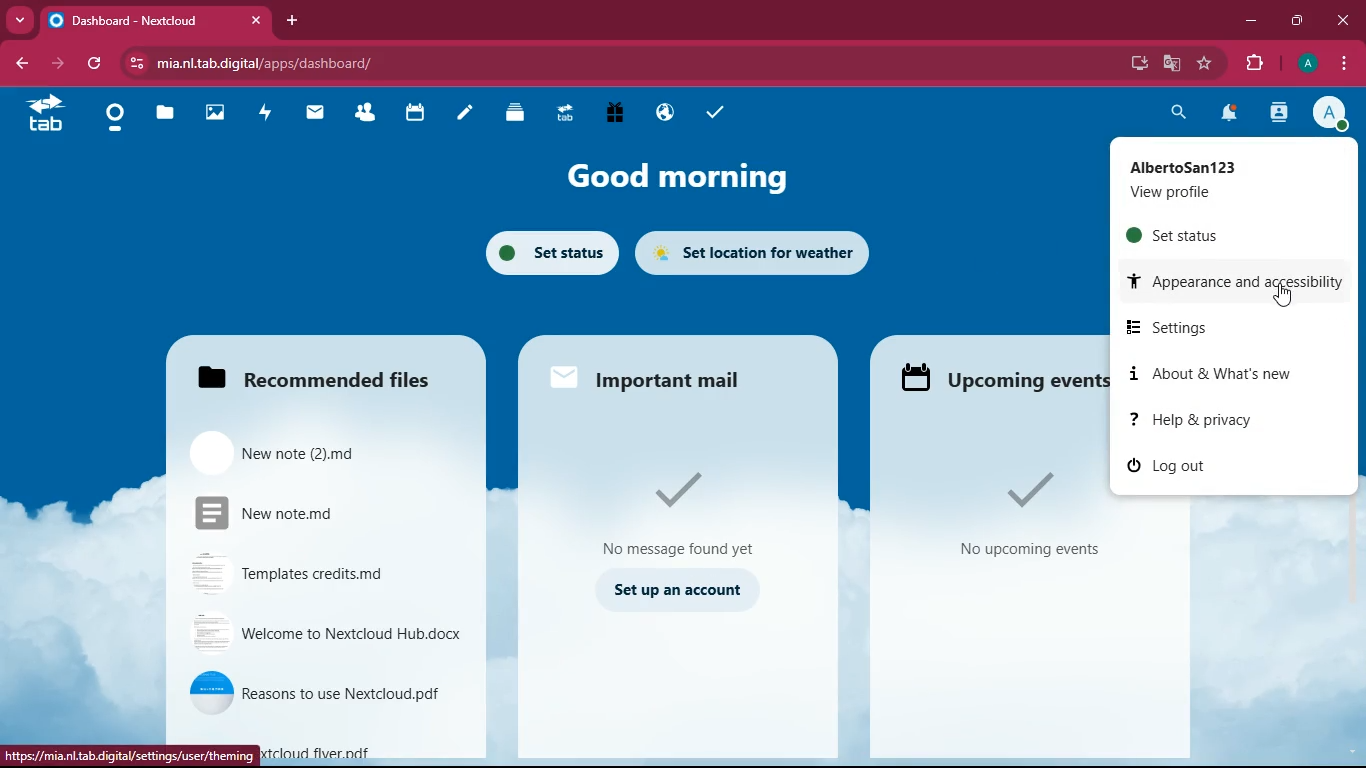  Describe the element at coordinates (1344, 21) in the screenshot. I see `close` at that location.